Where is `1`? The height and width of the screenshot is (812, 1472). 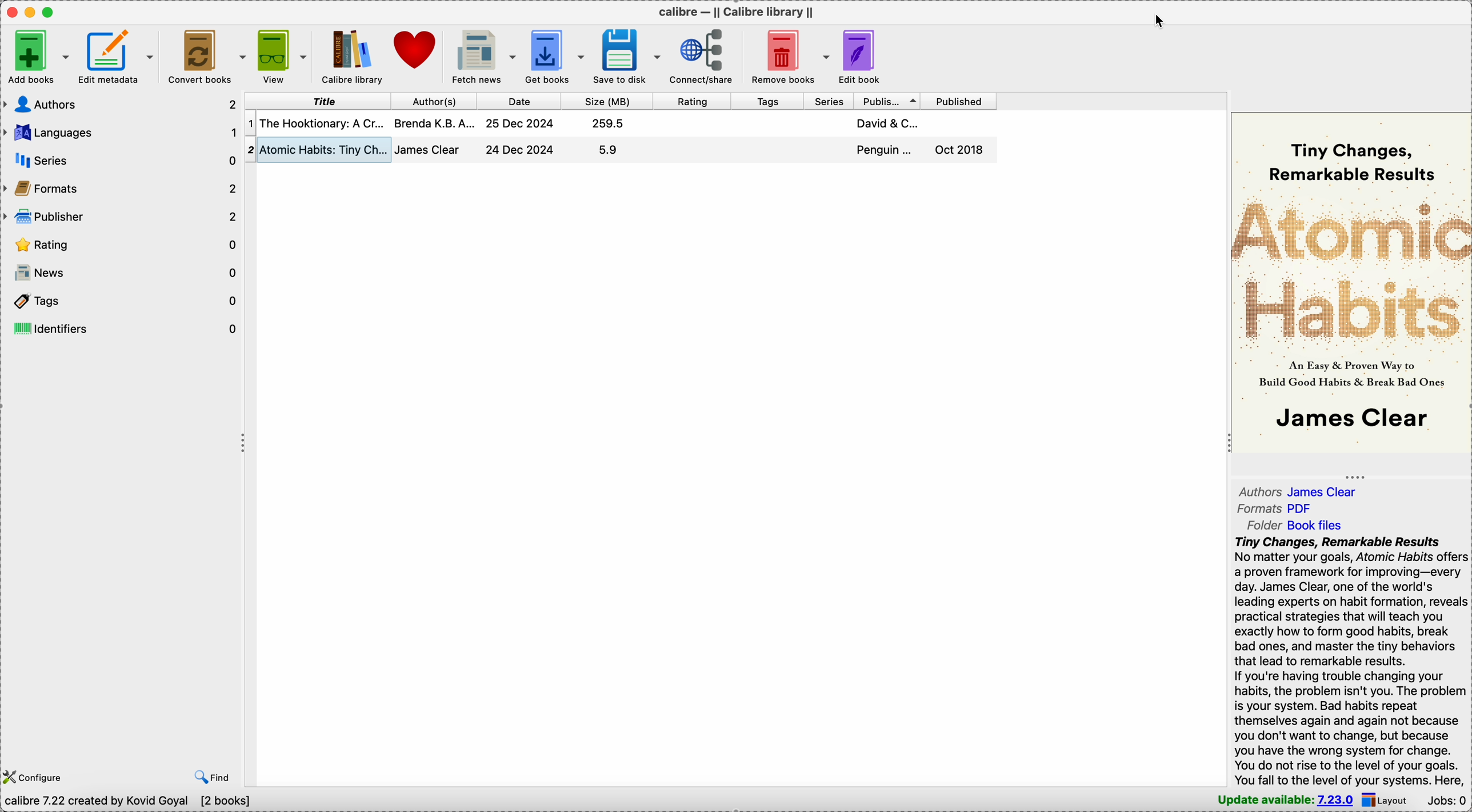
1 is located at coordinates (251, 125).